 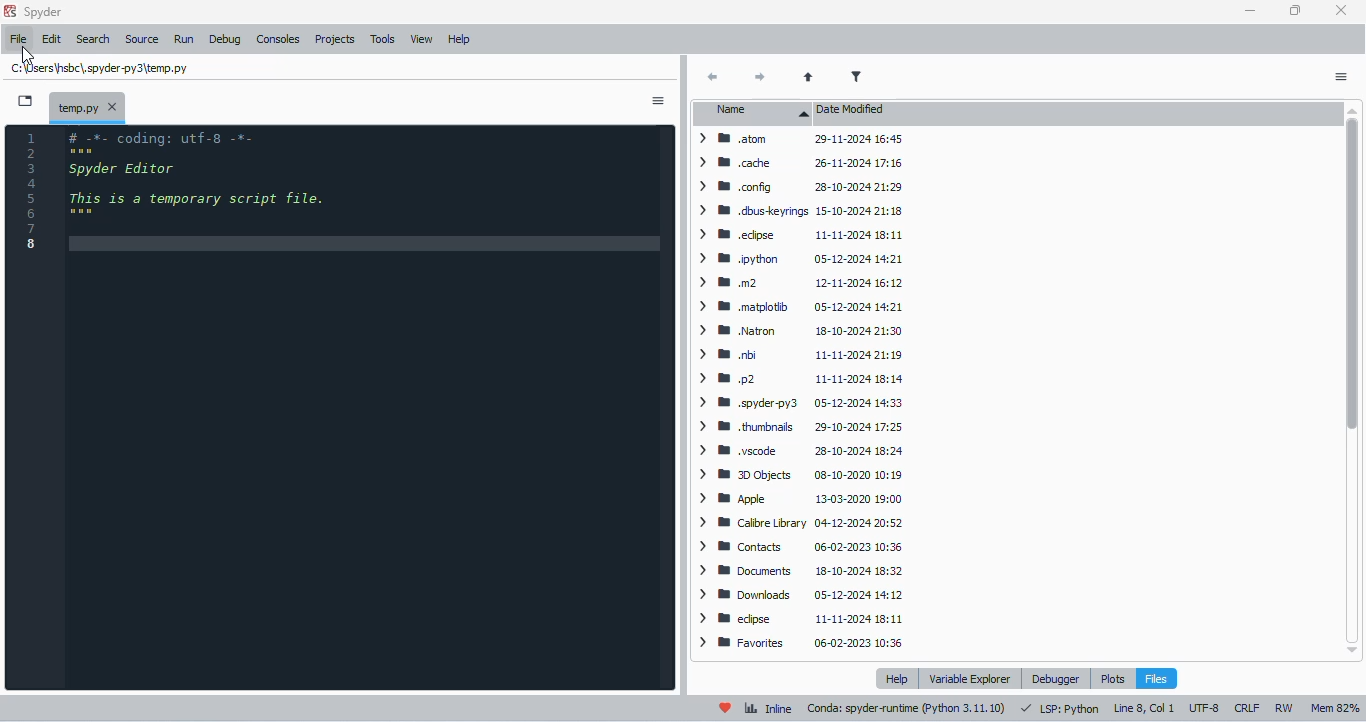 What do you see at coordinates (713, 77) in the screenshot?
I see `back` at bounding box center [713, 77].